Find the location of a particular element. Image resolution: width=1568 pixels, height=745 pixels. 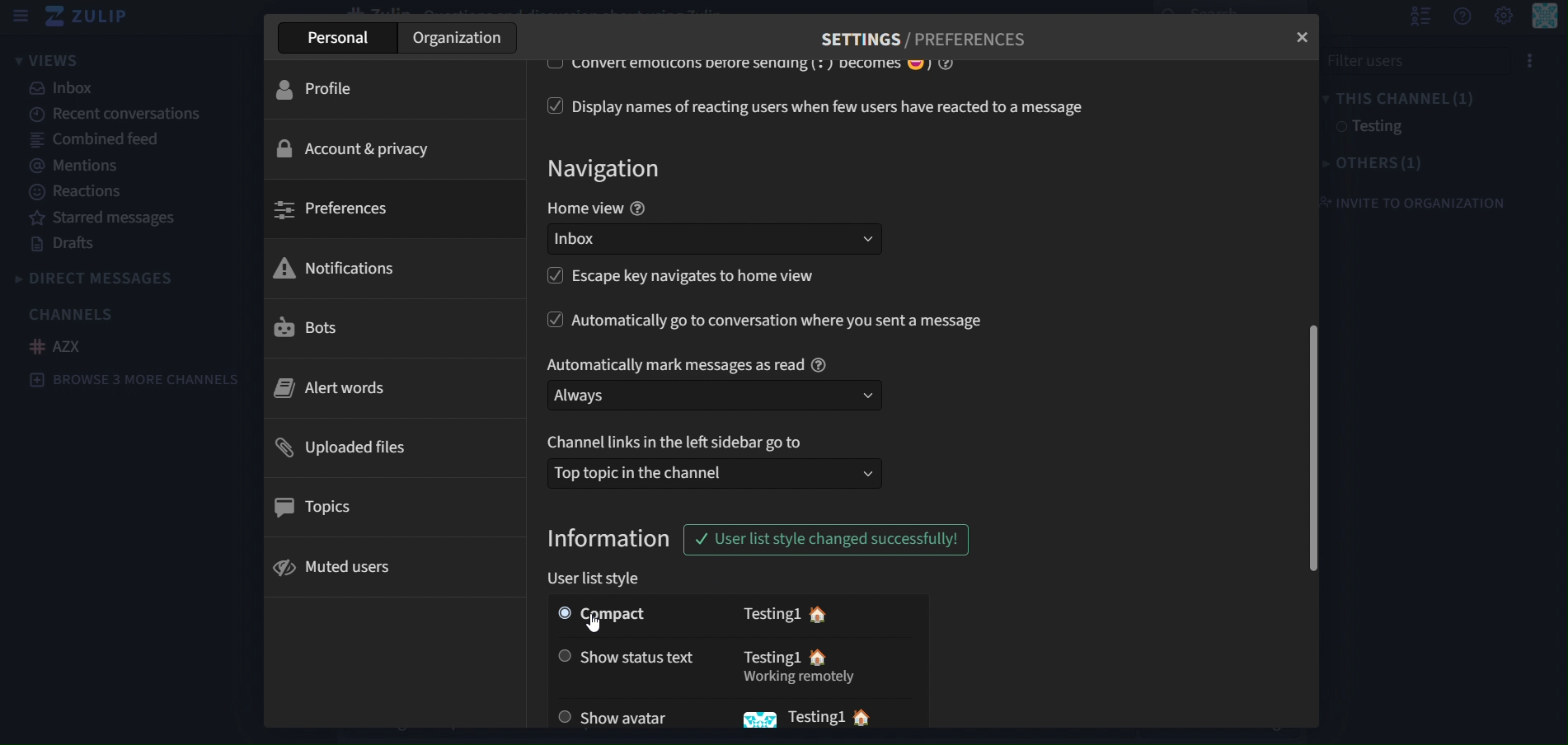

cursor is located at coordinates (598, 620).